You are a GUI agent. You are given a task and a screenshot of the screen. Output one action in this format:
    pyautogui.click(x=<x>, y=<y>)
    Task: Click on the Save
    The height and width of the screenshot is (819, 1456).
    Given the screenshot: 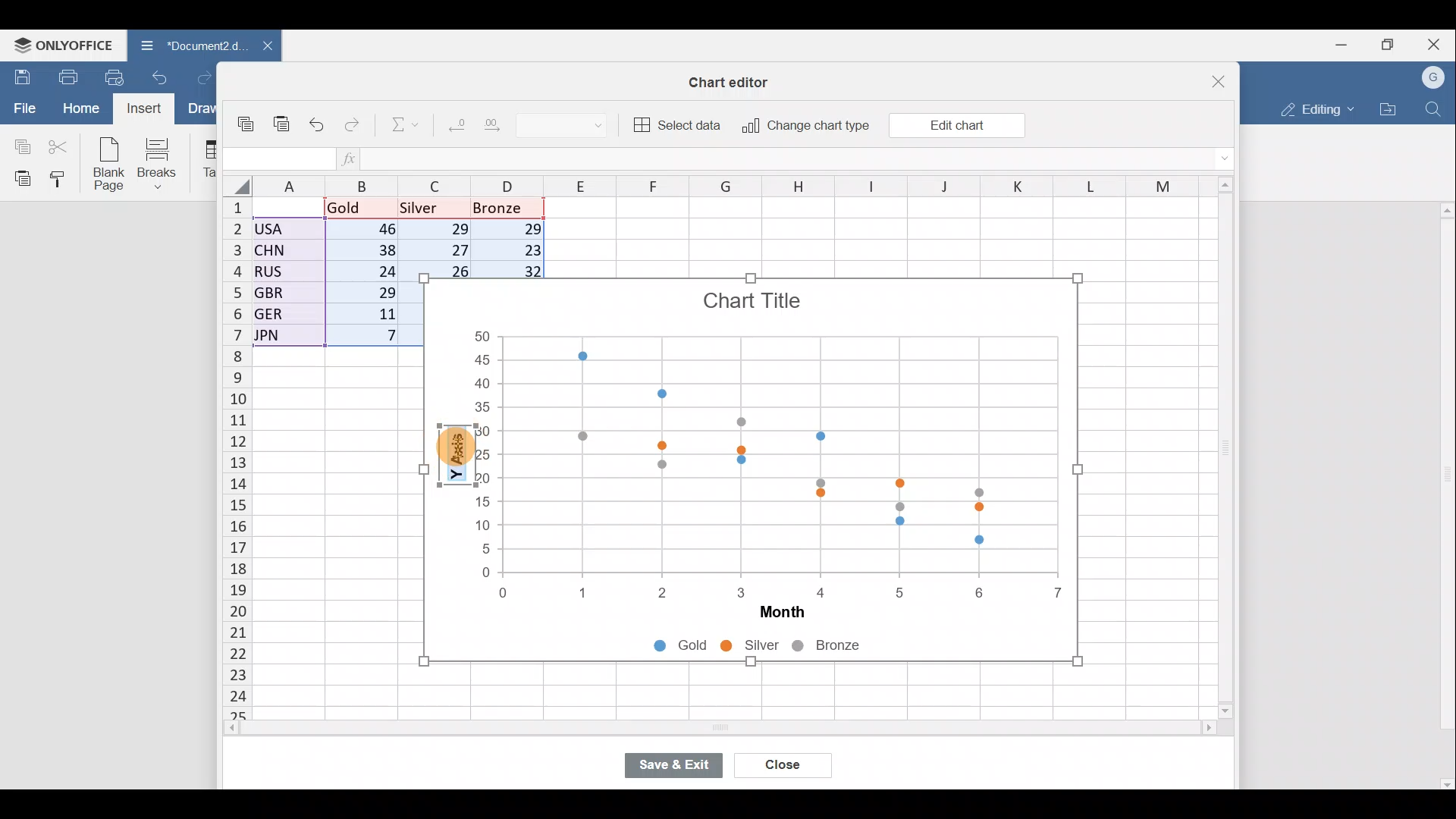 What is the action you would take?
    pyautogui.click(x=19, y=75)
    